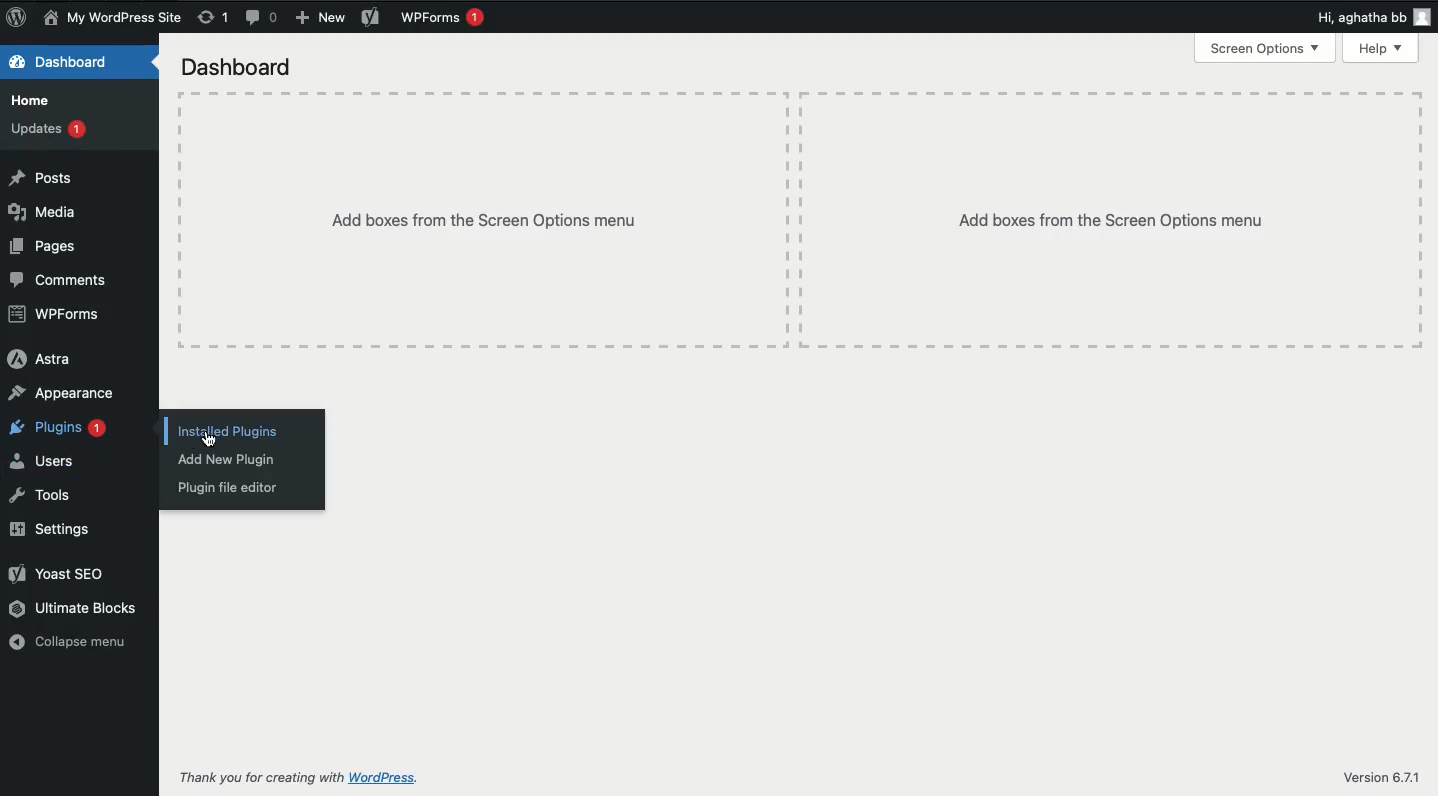 Image resolution: width=1438 pixels, height=796 pixels. What do you see at coordinates (230, 489) in the screenshot?
I see `Plugin file editor` at bounding box center [230, 489].